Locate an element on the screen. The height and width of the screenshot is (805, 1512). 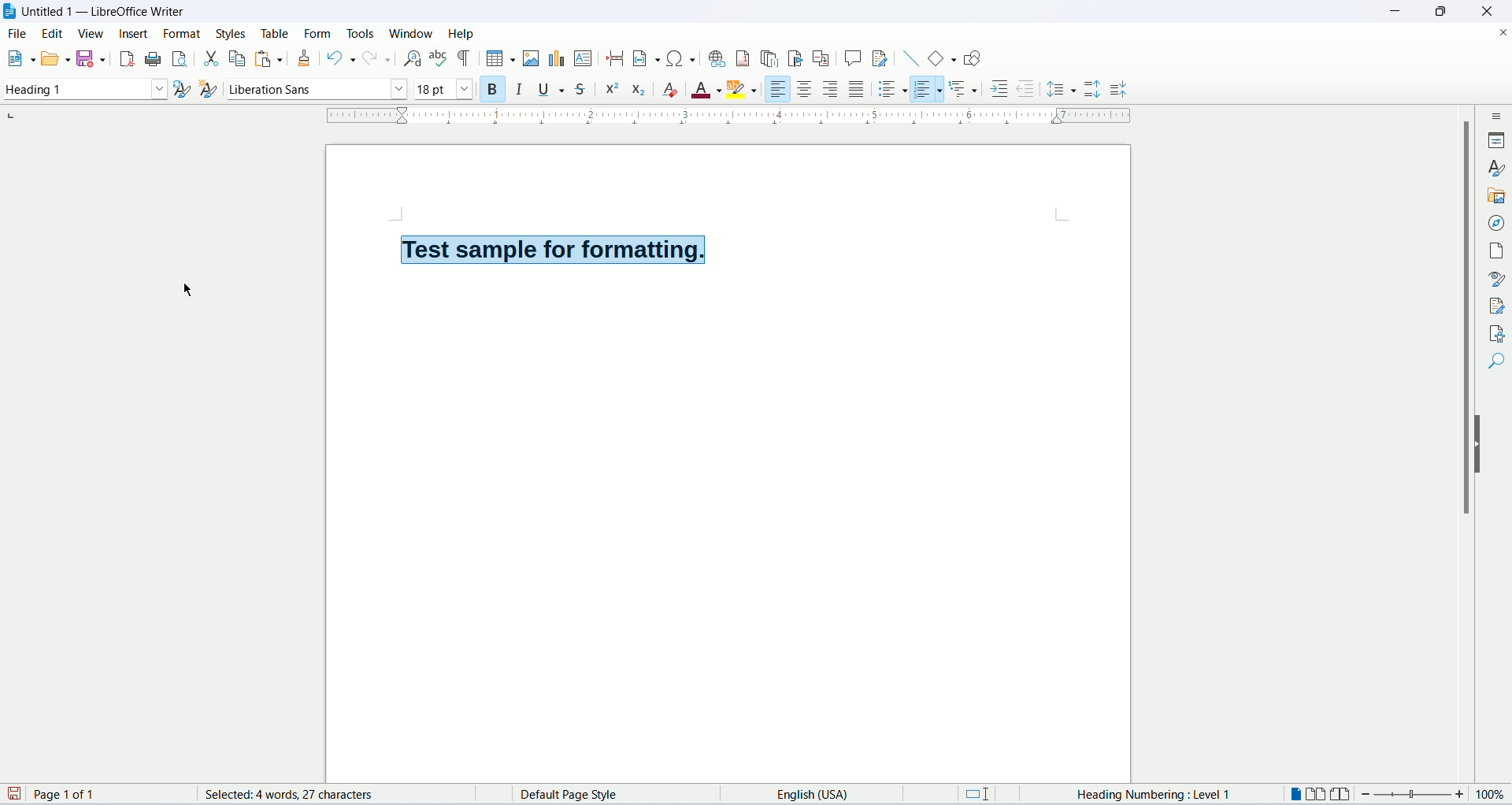
bold is located at coordinates (488, 88).